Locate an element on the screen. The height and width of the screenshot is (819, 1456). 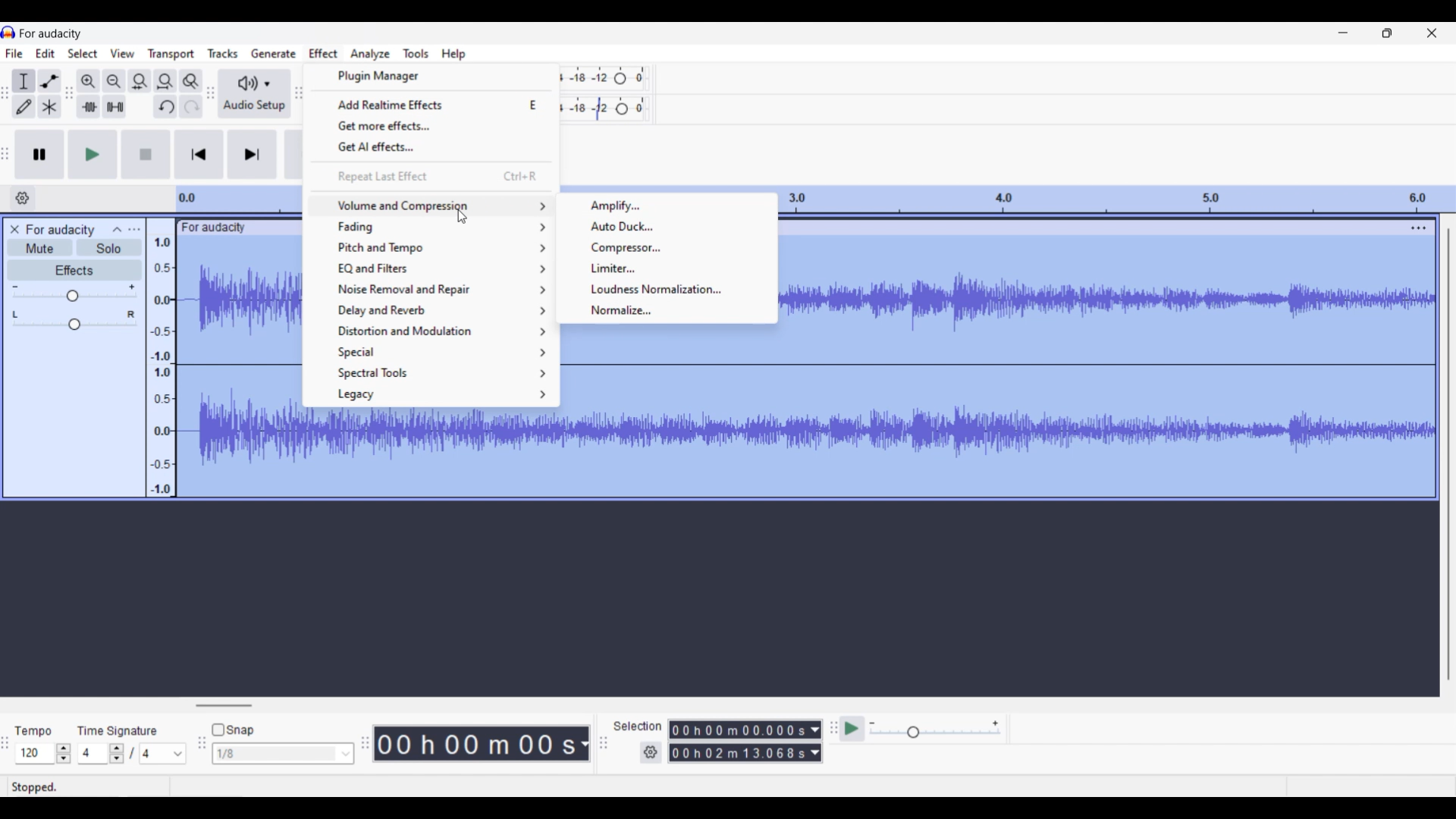
Undo is located at coordinates (165, 106).